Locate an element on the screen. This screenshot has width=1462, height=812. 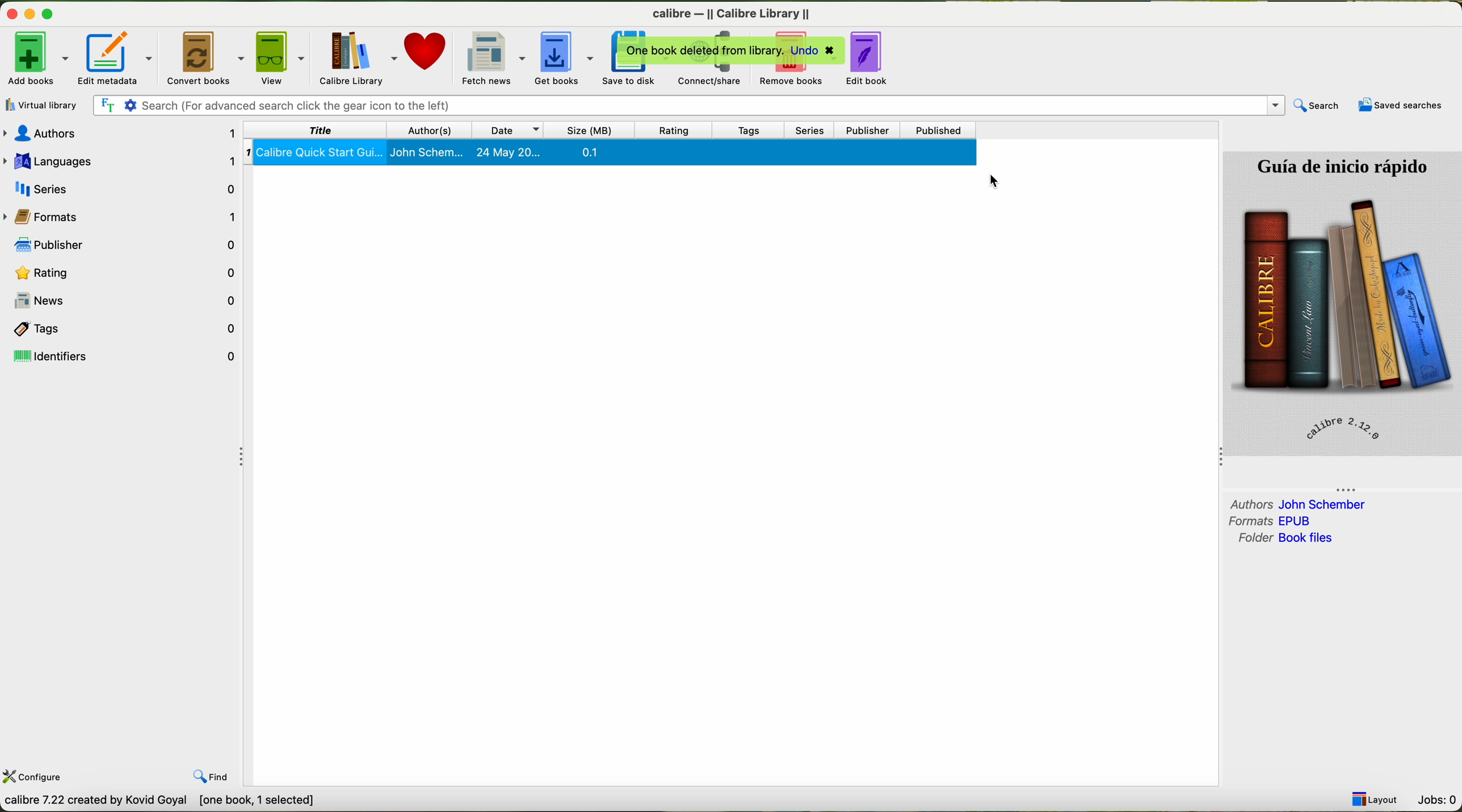
search bar is located at coordinates (689, 105).